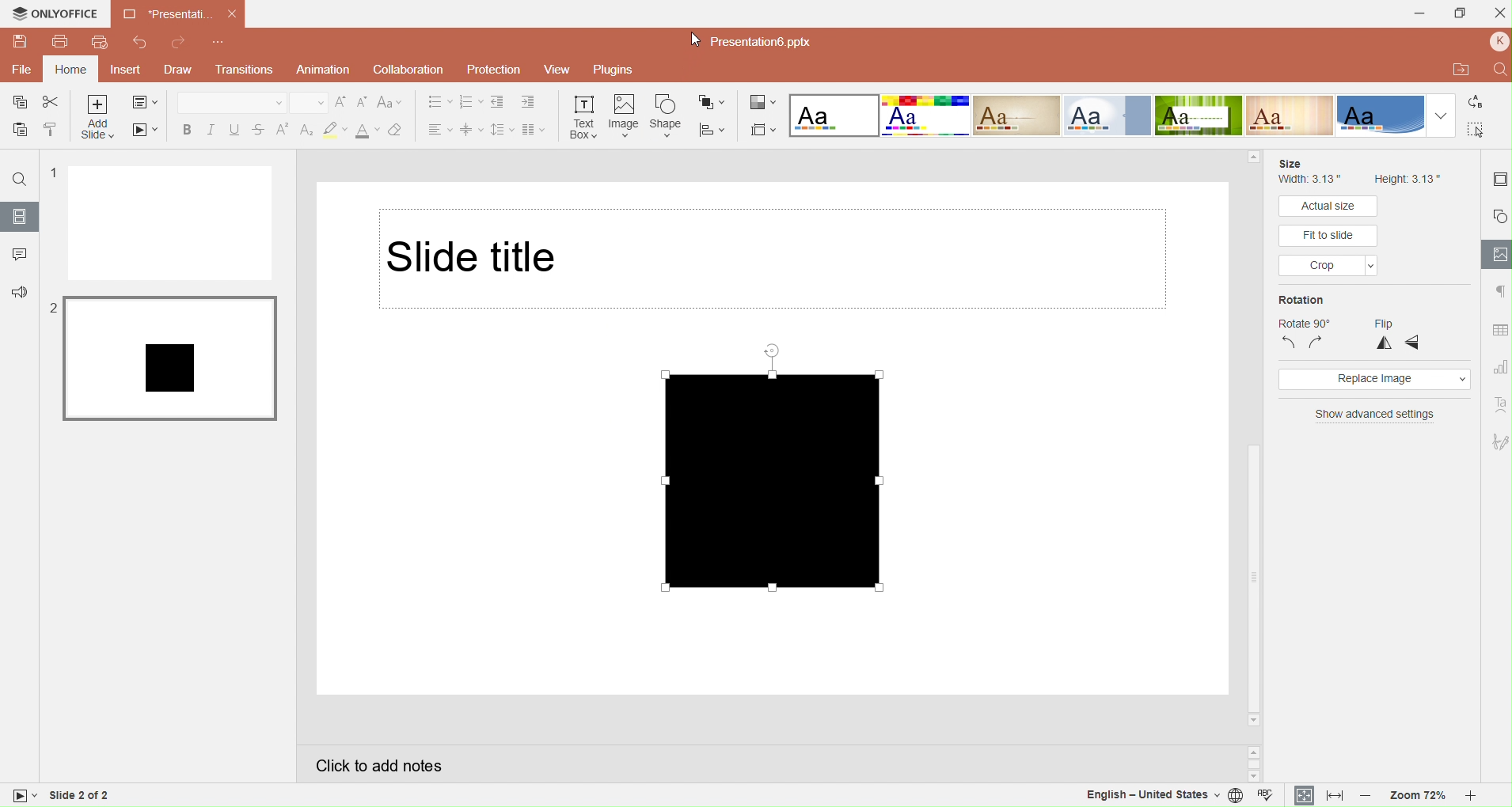 The height and width of the screenshot is (807, 1512). What do you see at coordinates (54, 14) in the screenshot?
I see `Only office` at bounding box center [54, 14].